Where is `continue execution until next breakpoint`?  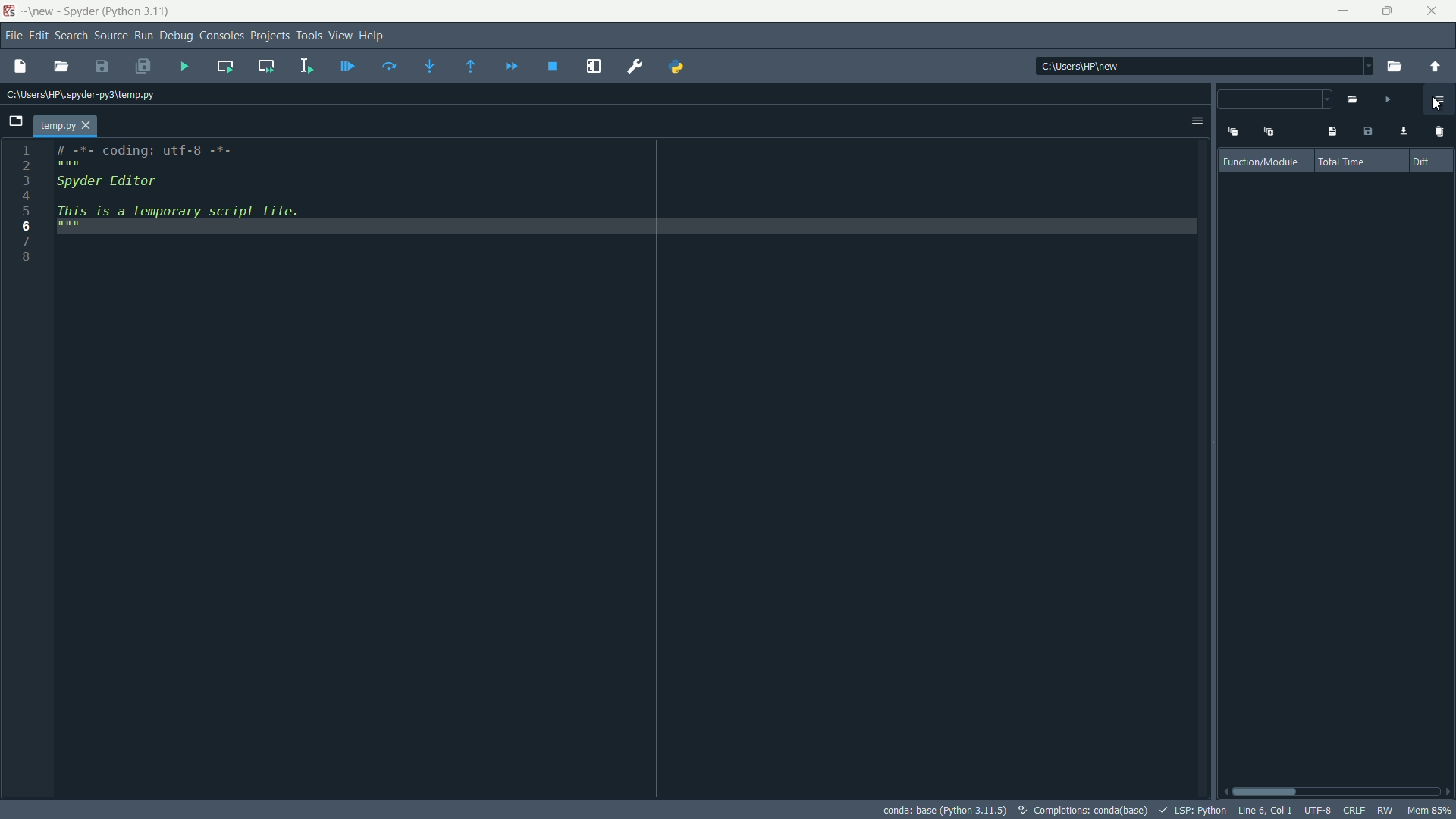 continue execution until next breakpoint is located at coordinates (512, 67).